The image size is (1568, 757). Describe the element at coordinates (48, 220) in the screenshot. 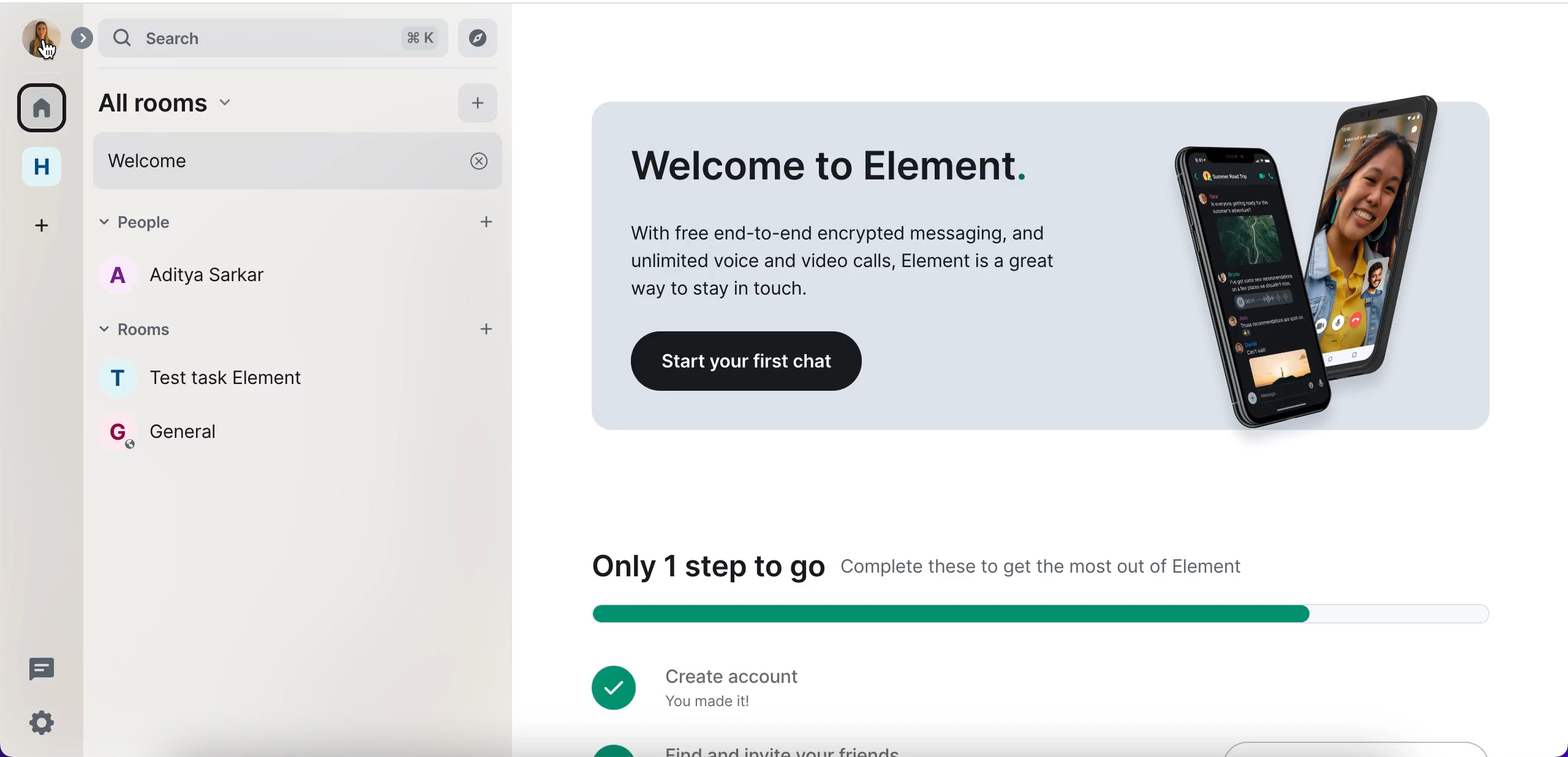

I see `create a space` at that location.